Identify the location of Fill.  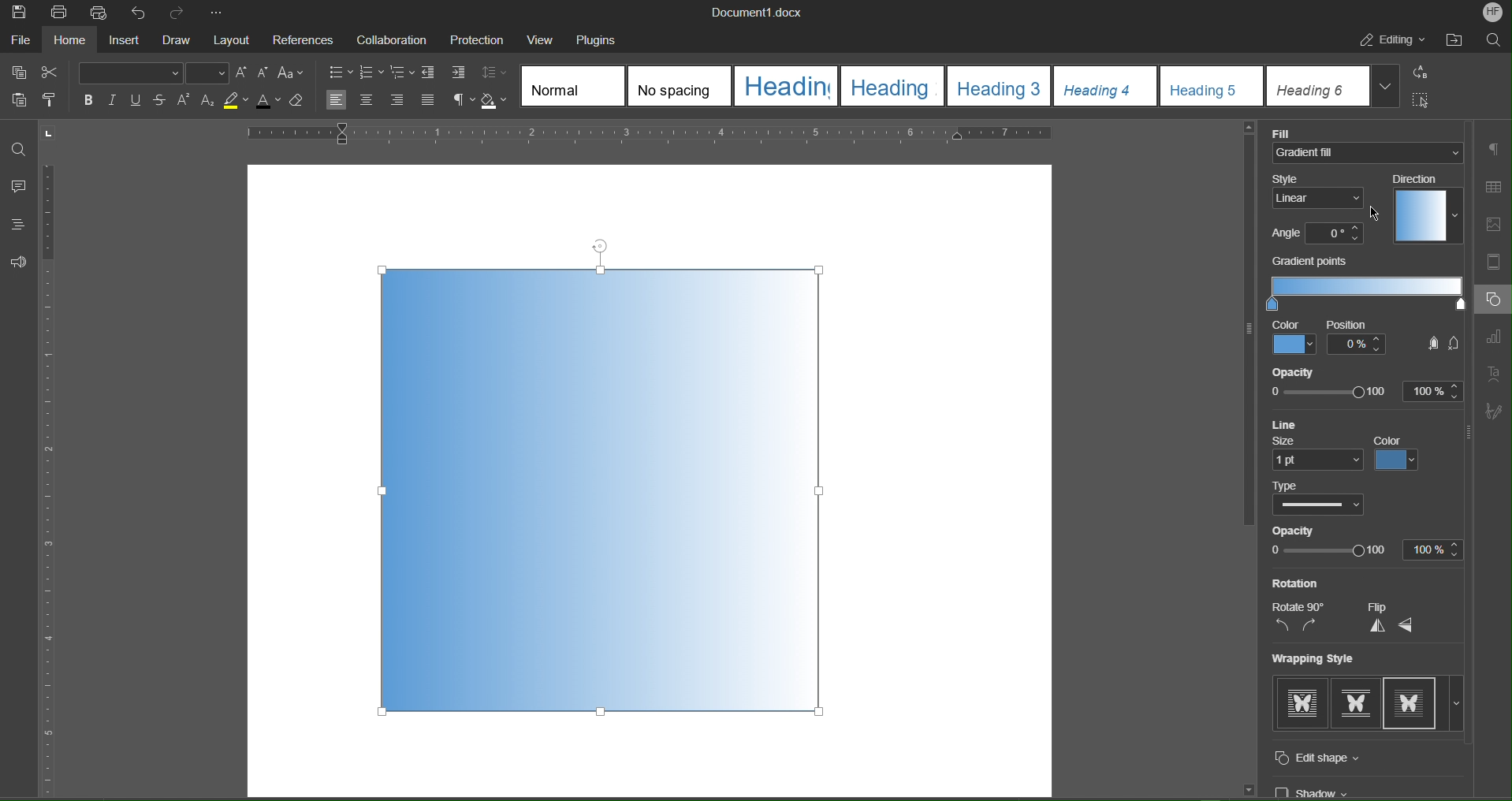
(1293, 129).